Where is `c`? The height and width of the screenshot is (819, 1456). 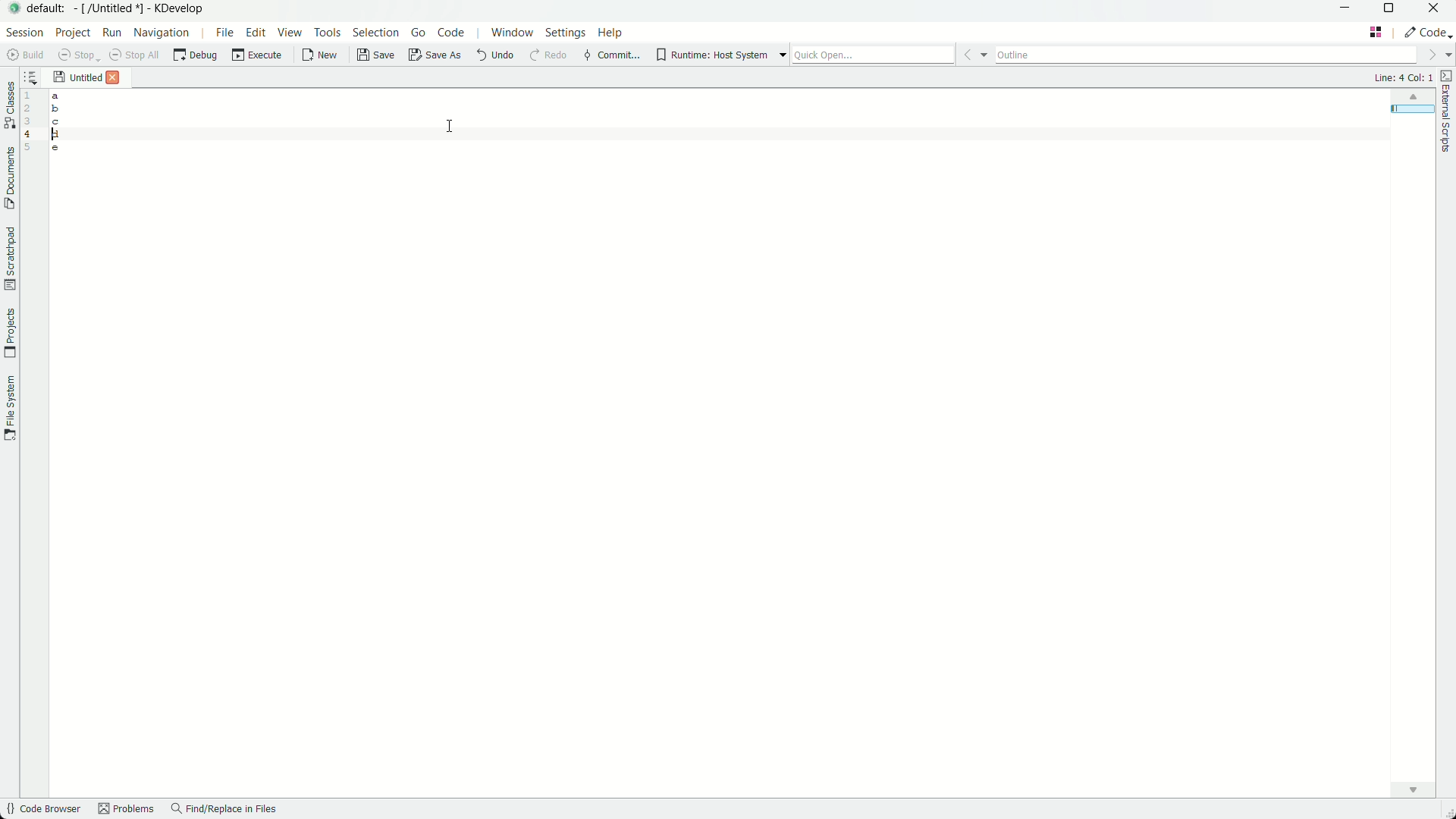 c is located at coordinates (58, 121).